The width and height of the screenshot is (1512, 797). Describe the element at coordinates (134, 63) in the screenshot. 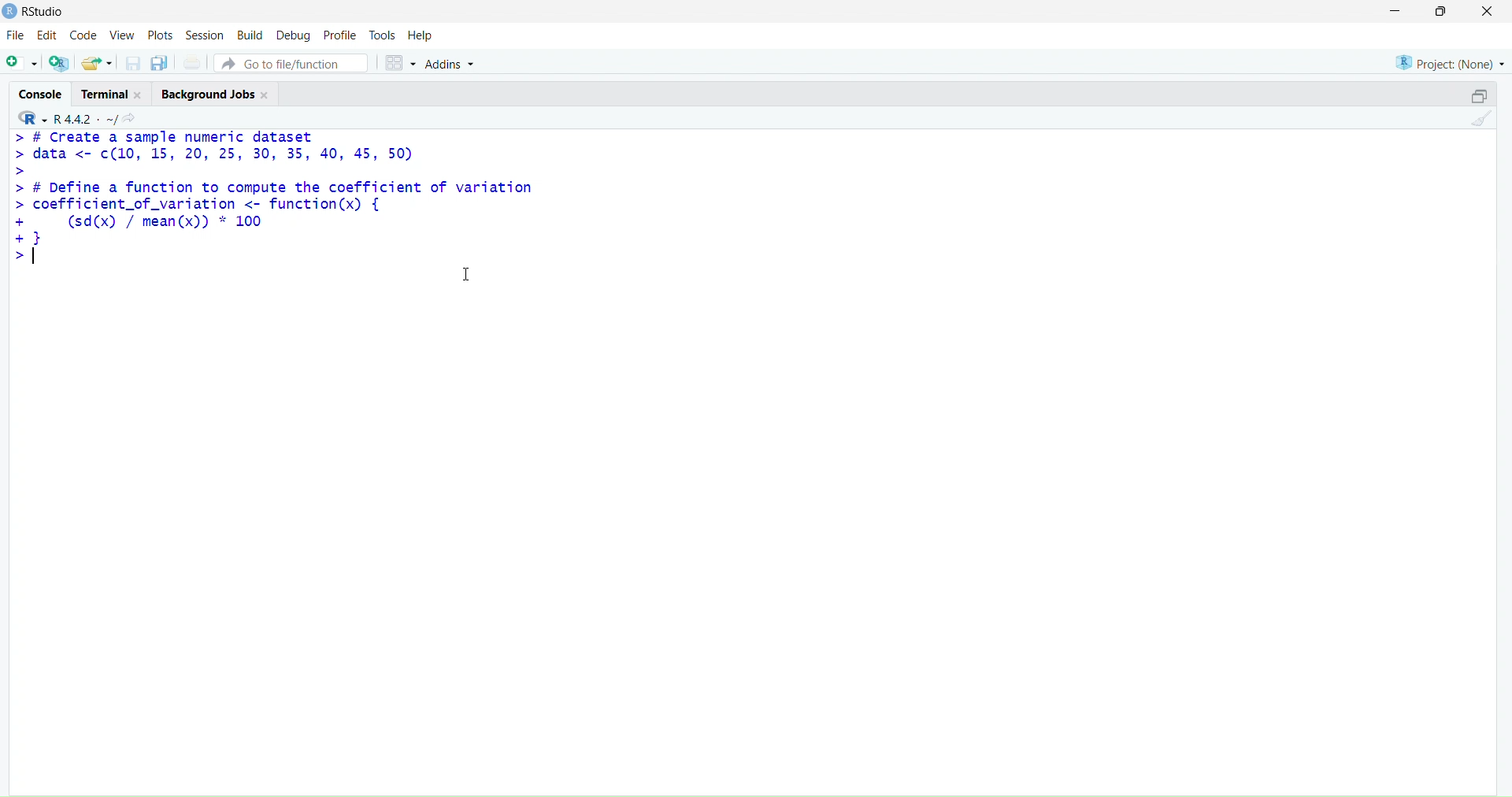

I see `save` at that location.